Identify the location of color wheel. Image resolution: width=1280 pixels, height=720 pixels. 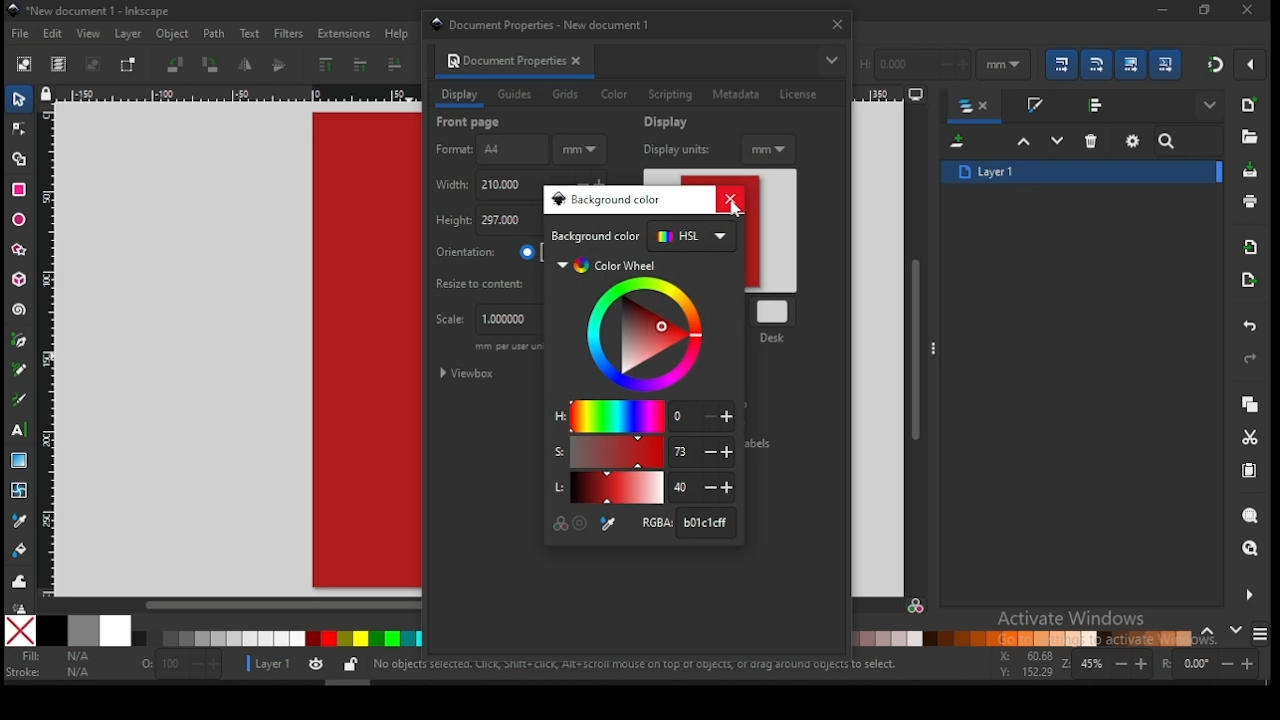
(644, 326).